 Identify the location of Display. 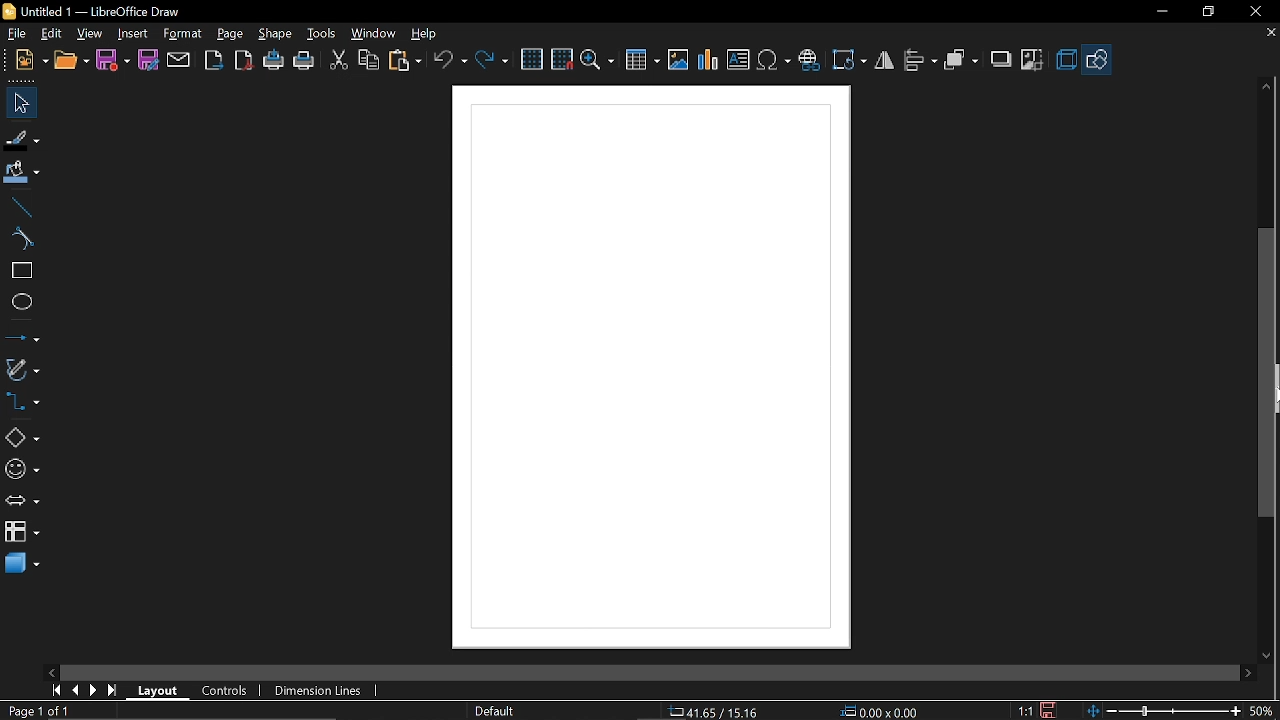
(664, 363).